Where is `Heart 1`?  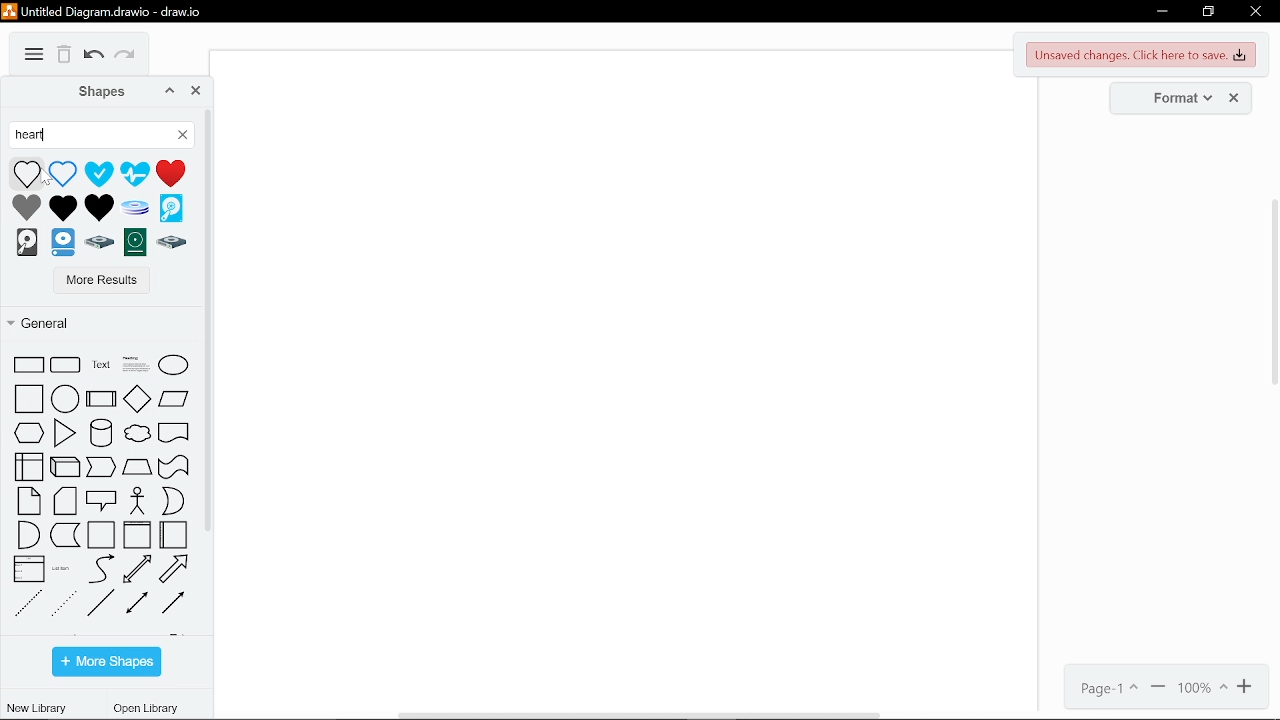
Heart 1 is located at coordinates (64, 209).